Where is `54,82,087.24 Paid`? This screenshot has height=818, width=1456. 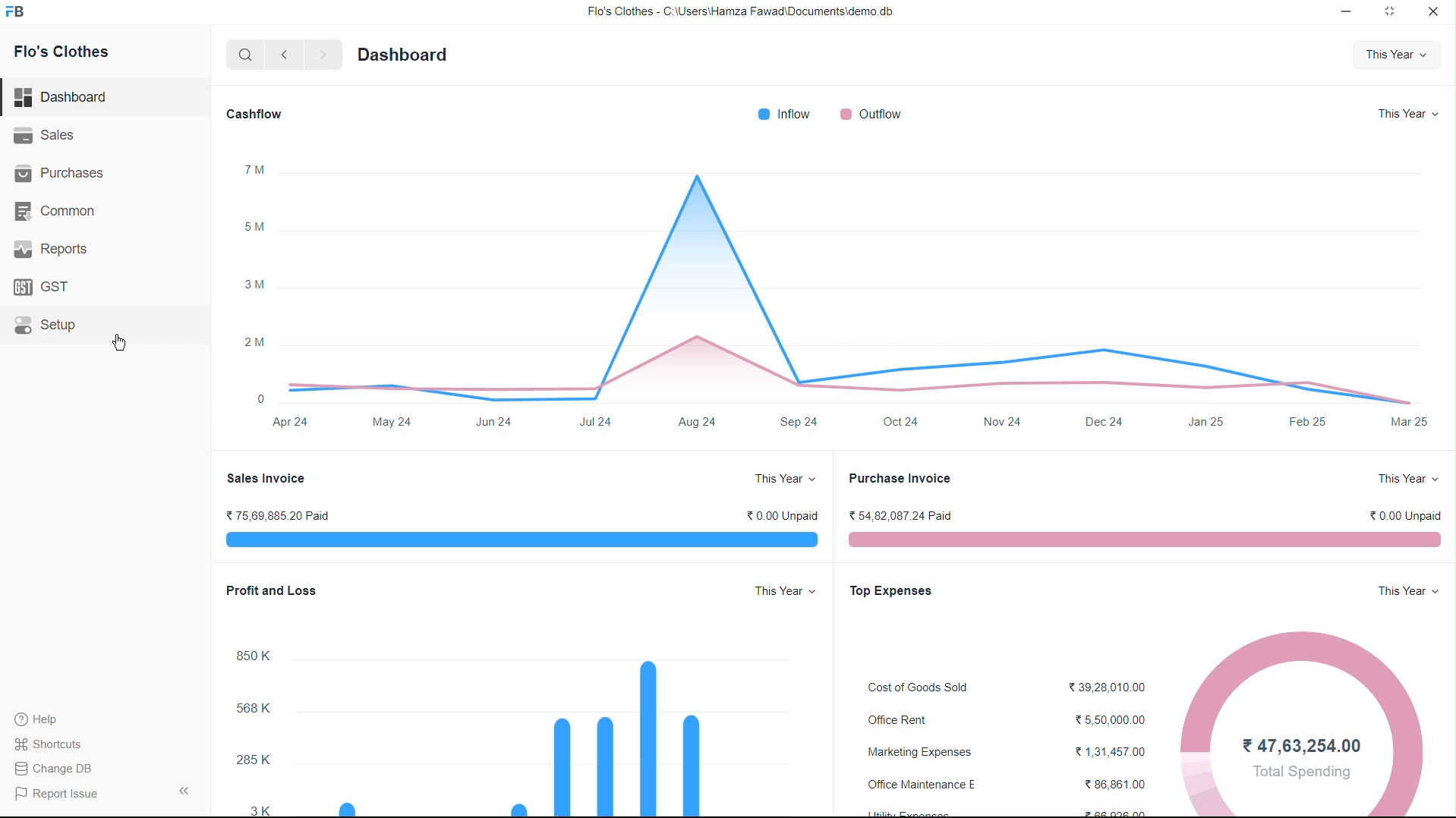
54,82,087.24 Paid is located at coordinates (896, 515).